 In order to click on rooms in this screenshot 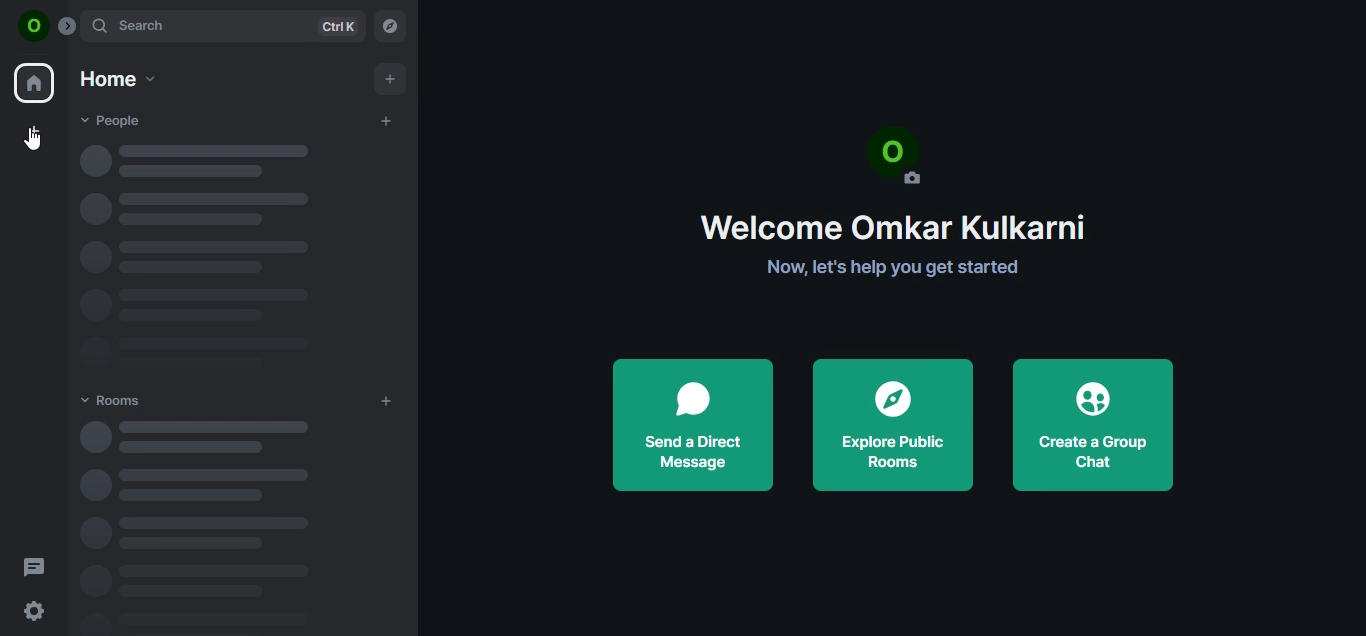, I will do `click(120, 399)`.